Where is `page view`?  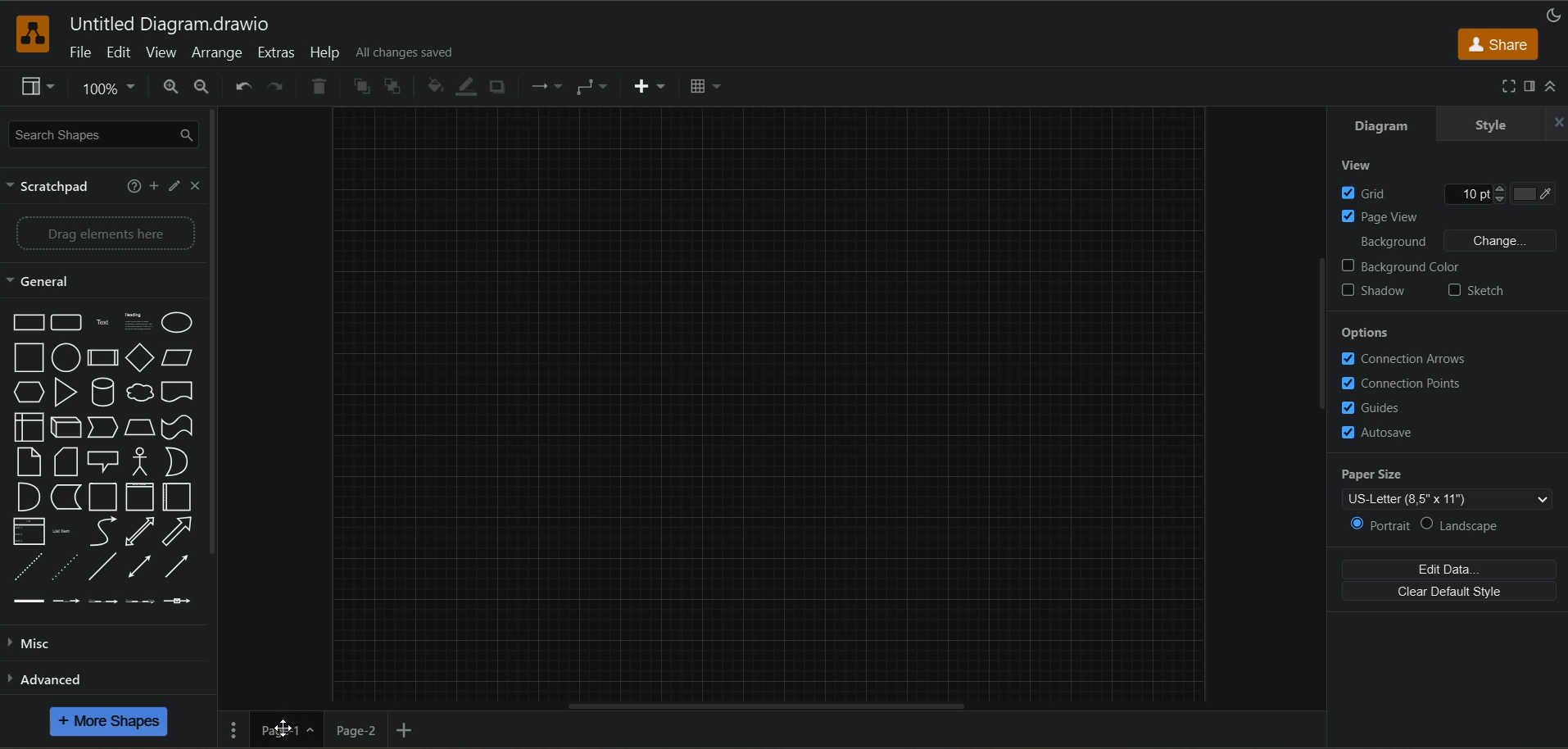
page view is located at coordinates (1382, 216).